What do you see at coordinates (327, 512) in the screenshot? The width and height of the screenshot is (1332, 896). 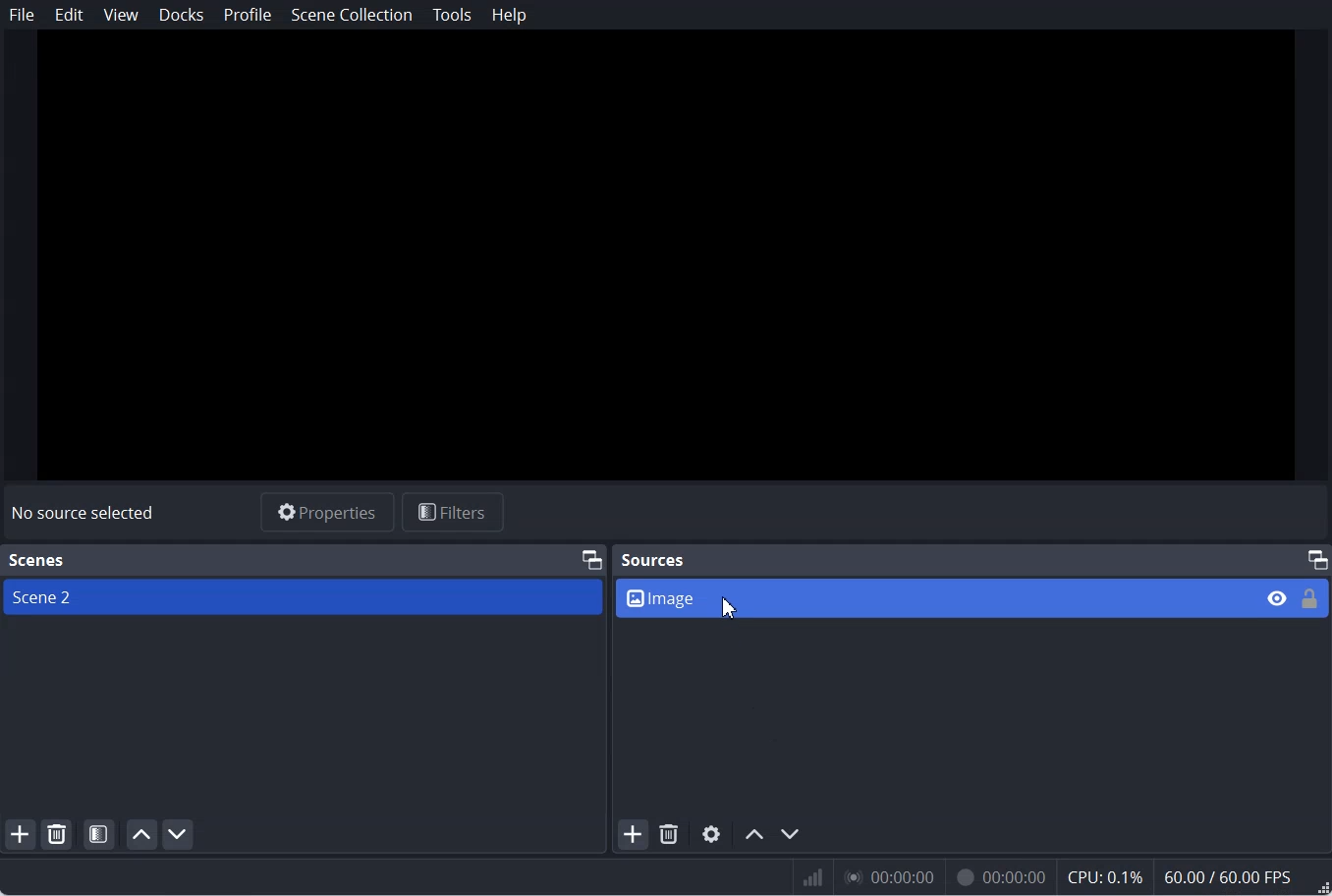 I see `Properties` at bounding box center [327, 512].